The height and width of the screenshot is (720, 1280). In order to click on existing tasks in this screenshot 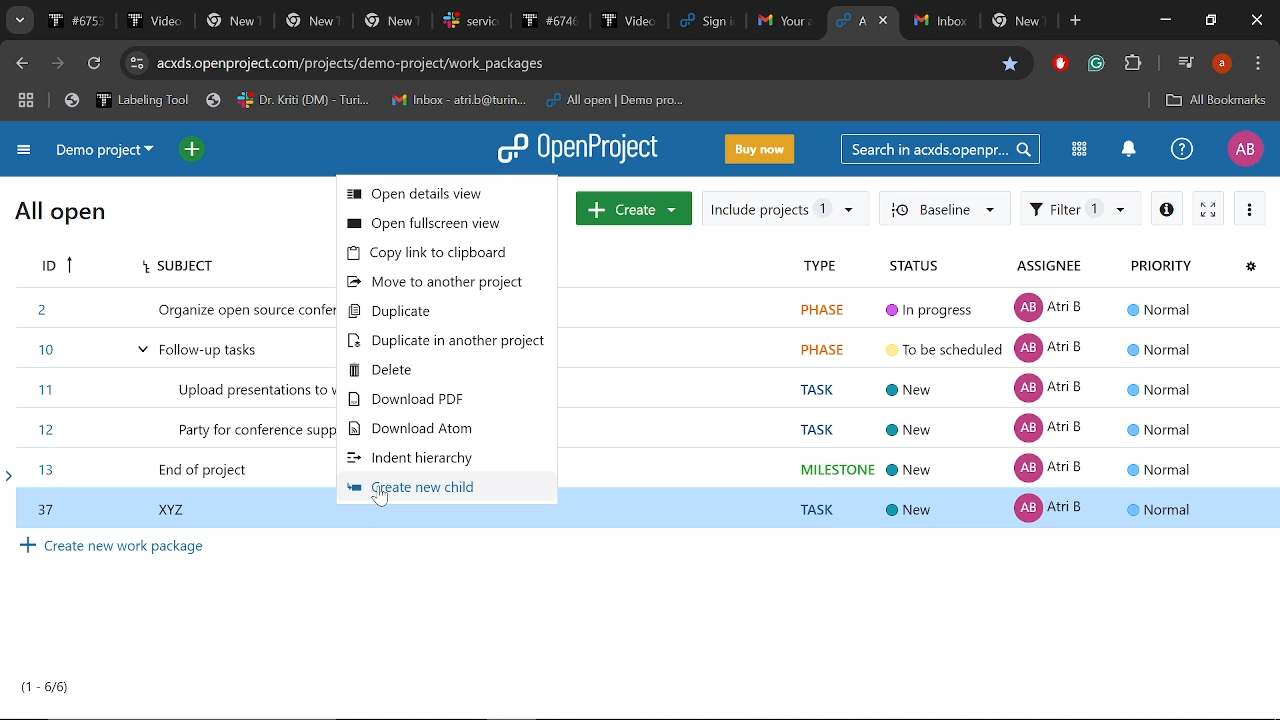, I will do `click(950, 391)`.